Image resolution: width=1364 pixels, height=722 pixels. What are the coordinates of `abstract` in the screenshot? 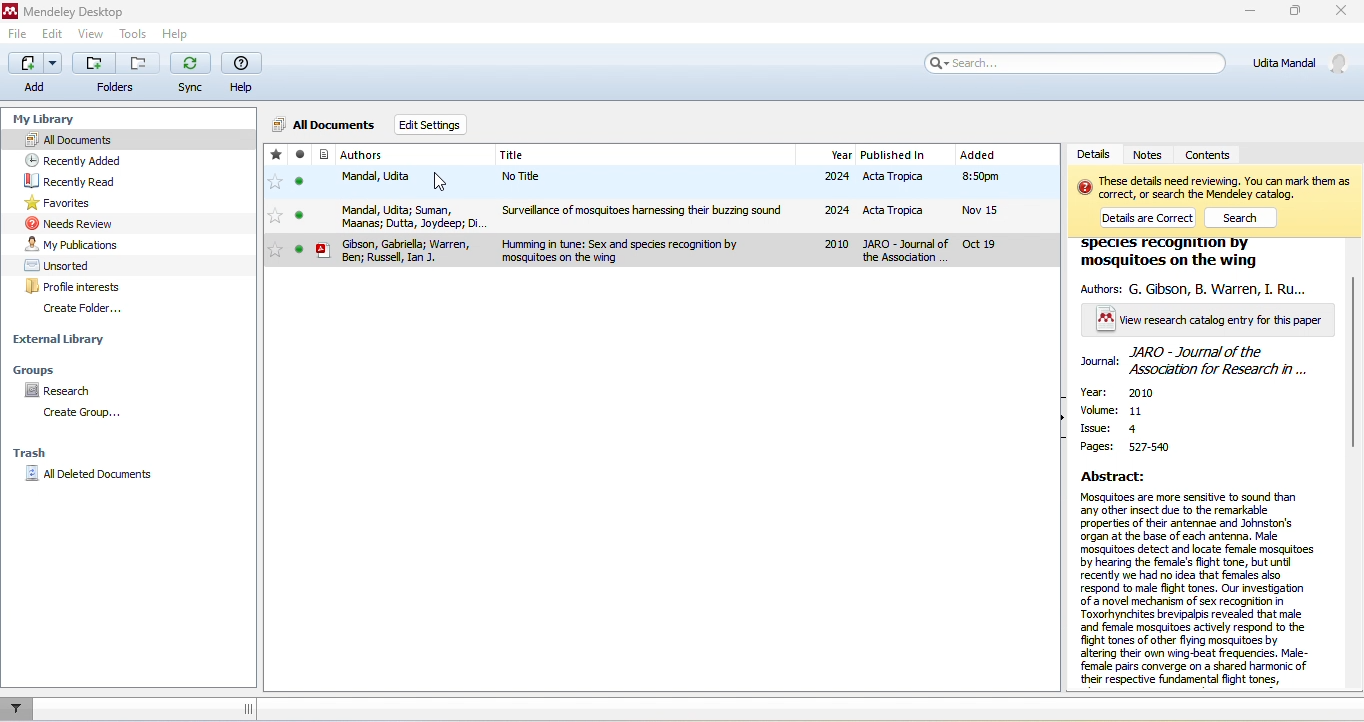 It's located at (1122, 475).